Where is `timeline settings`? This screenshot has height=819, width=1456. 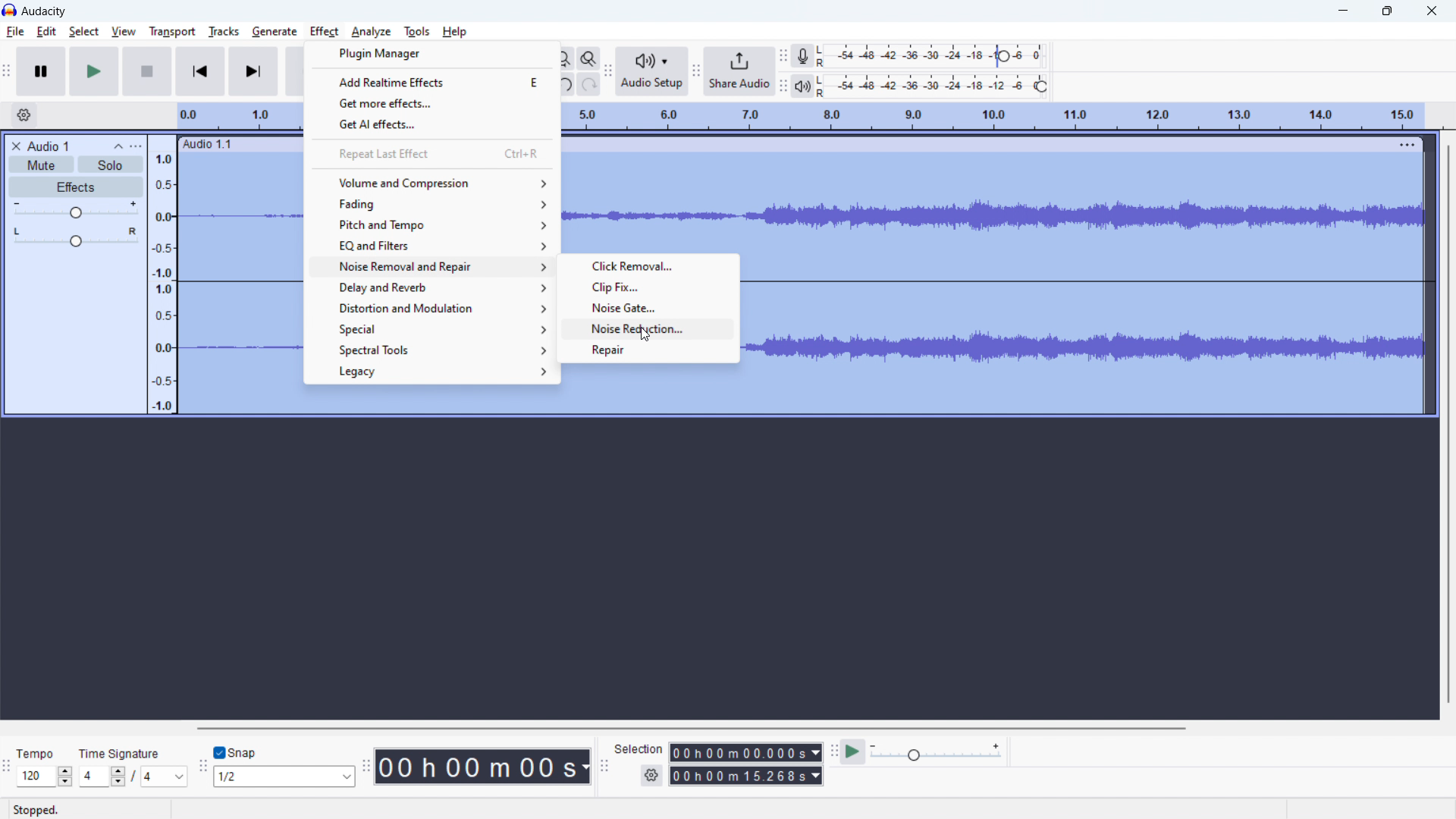
timeline settings is located at coordinates (24, 115).